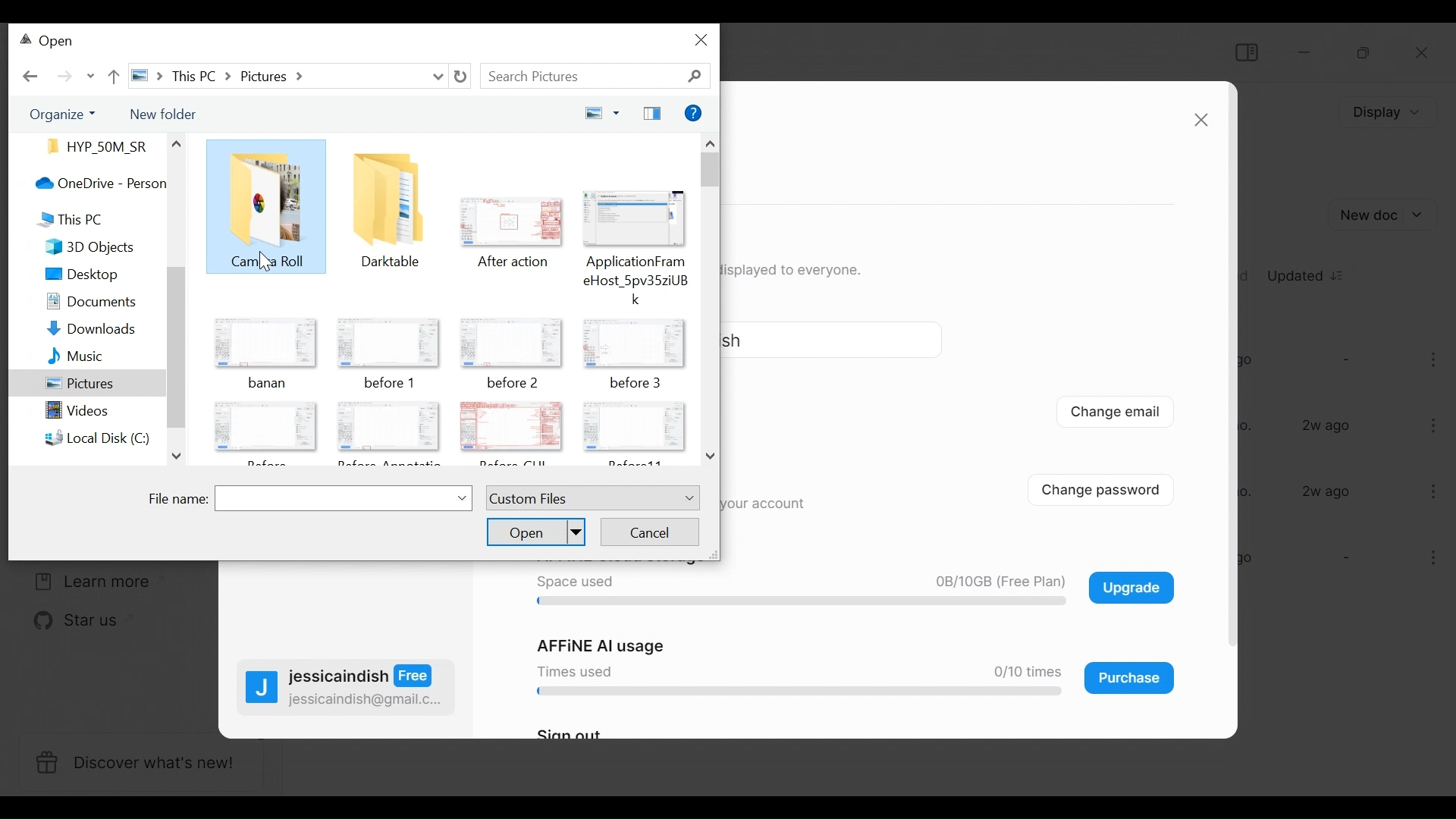  I want to click on Downloads, so click(78, 330).